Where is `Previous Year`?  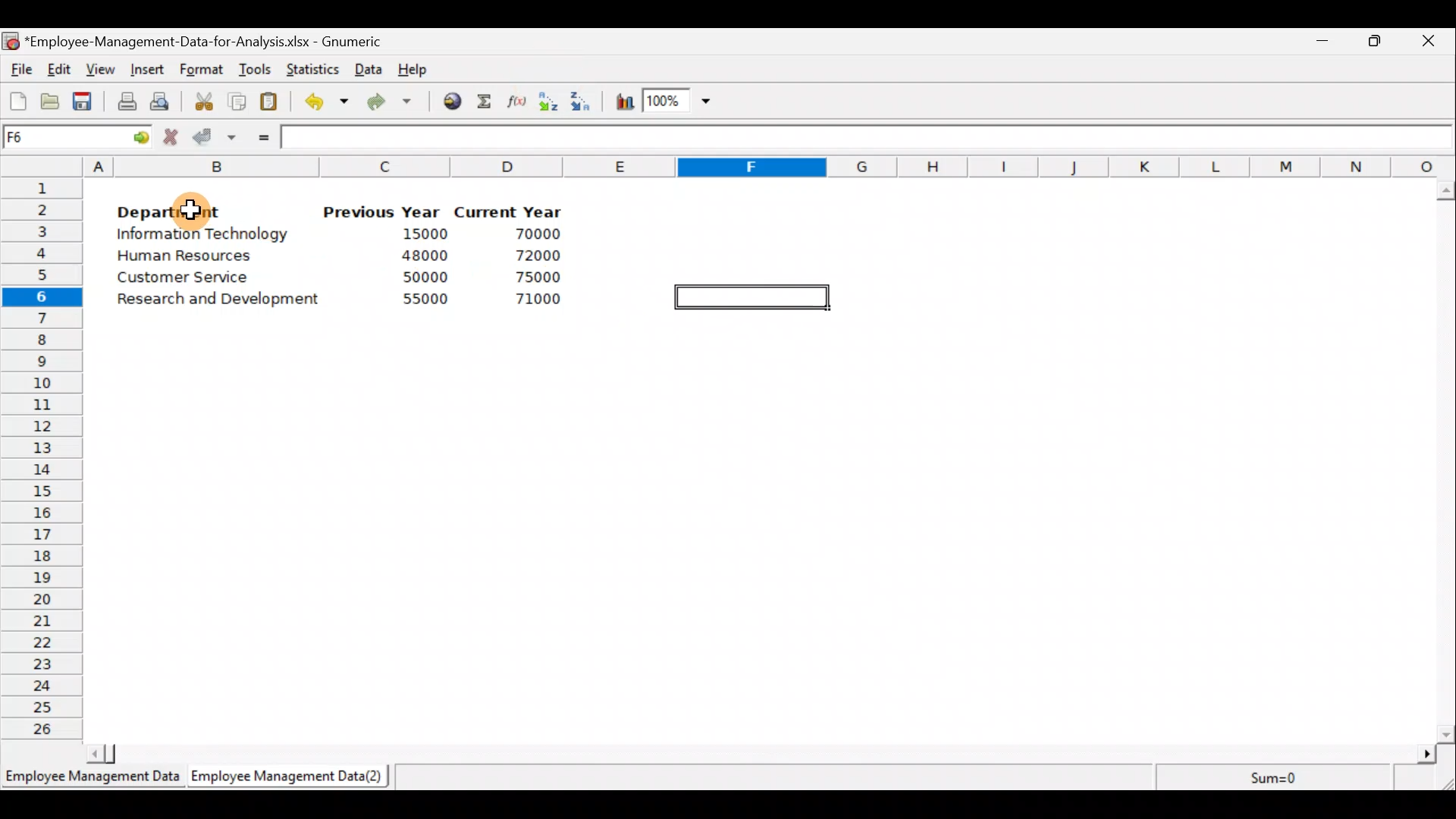 Previous Year is located at coordinates (382, 212).